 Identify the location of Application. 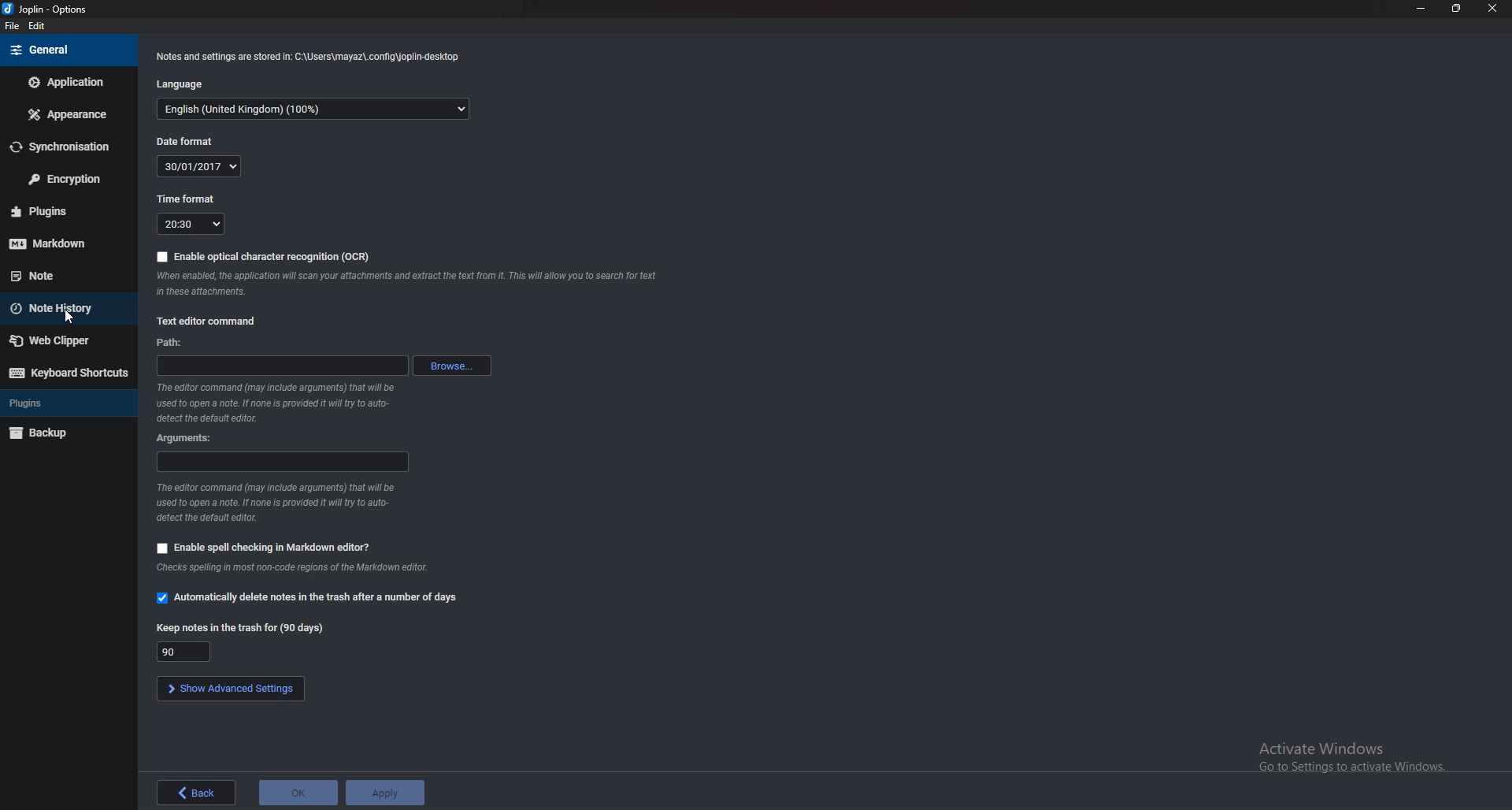
(67, 81).